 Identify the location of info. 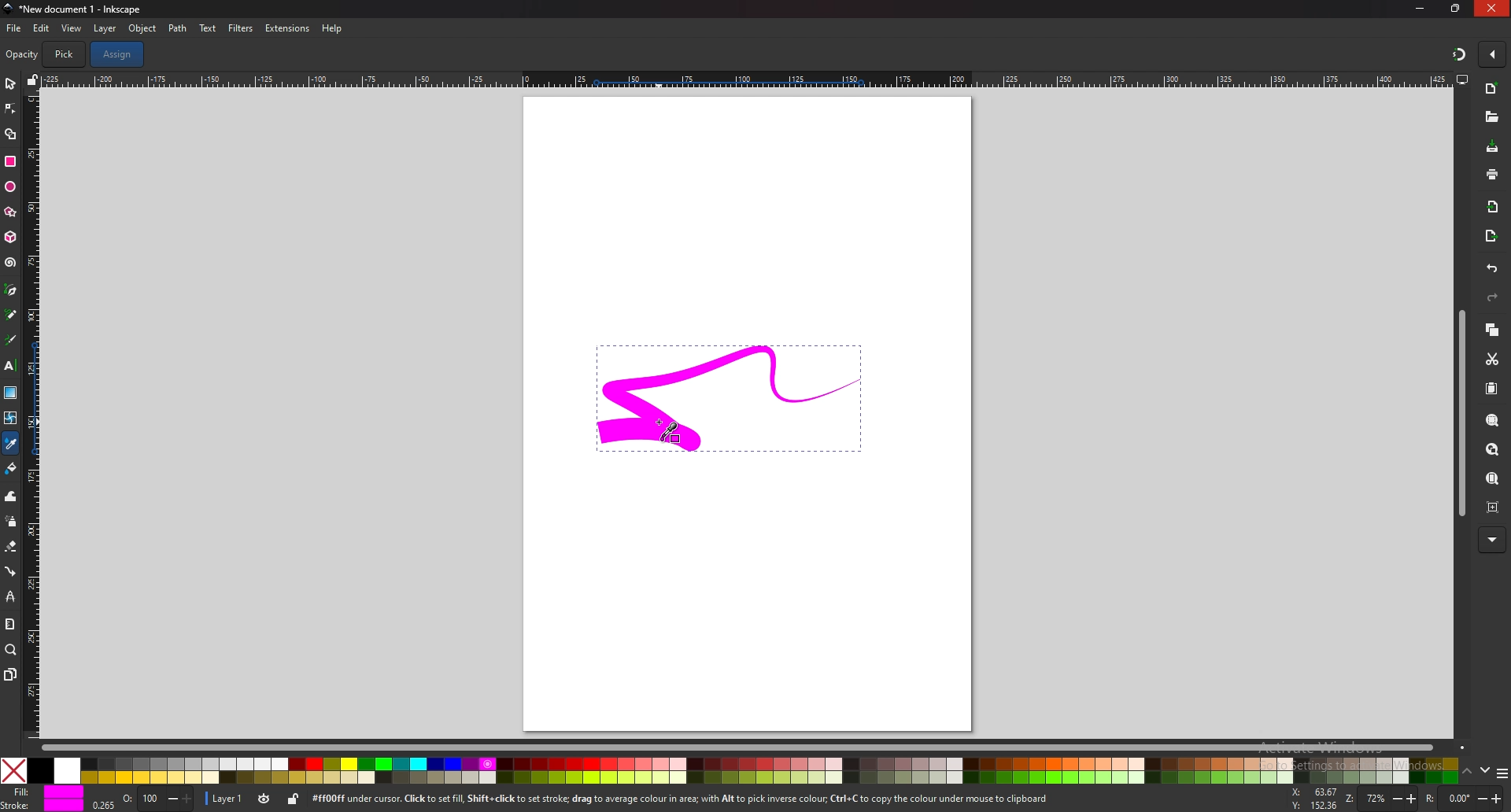
(685, 797).